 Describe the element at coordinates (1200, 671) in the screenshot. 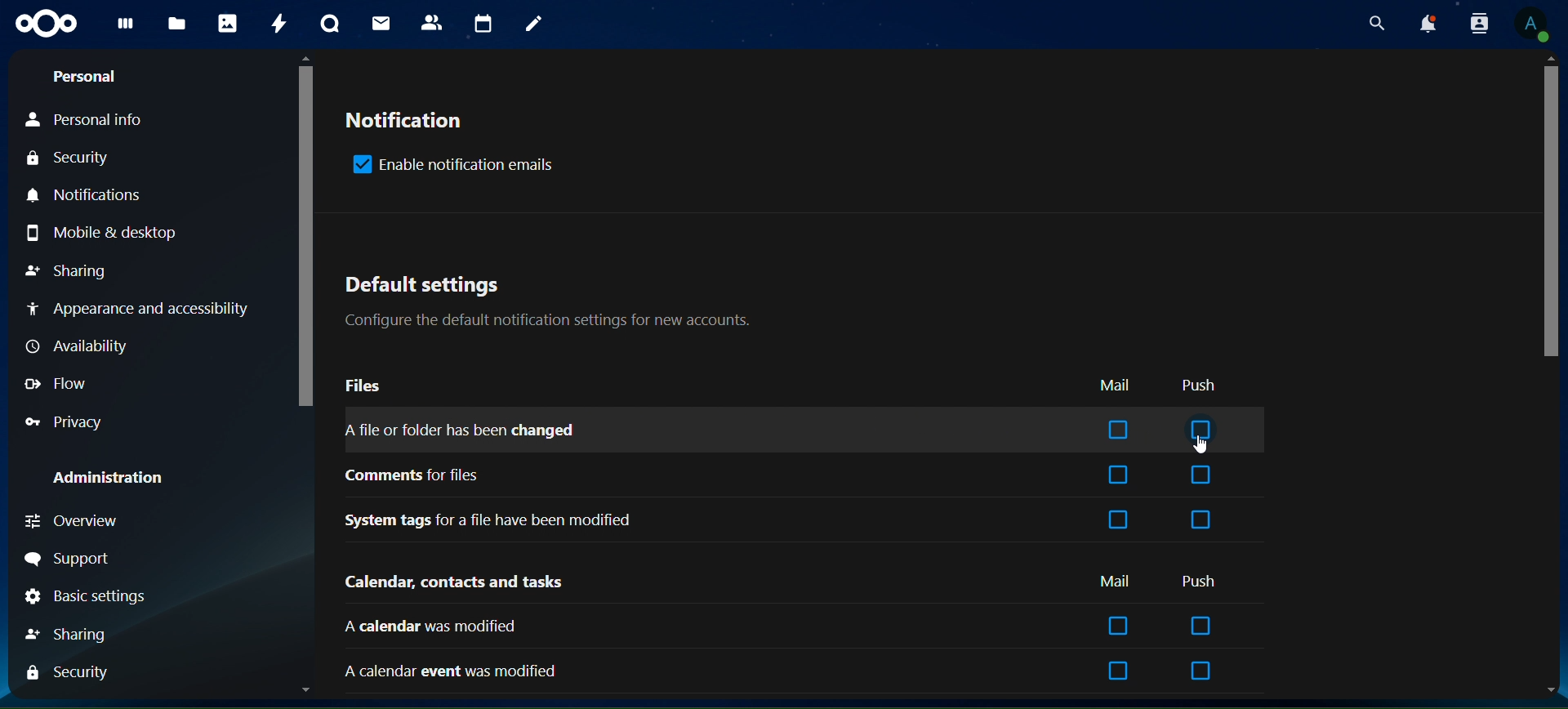

I see `box` at that location.